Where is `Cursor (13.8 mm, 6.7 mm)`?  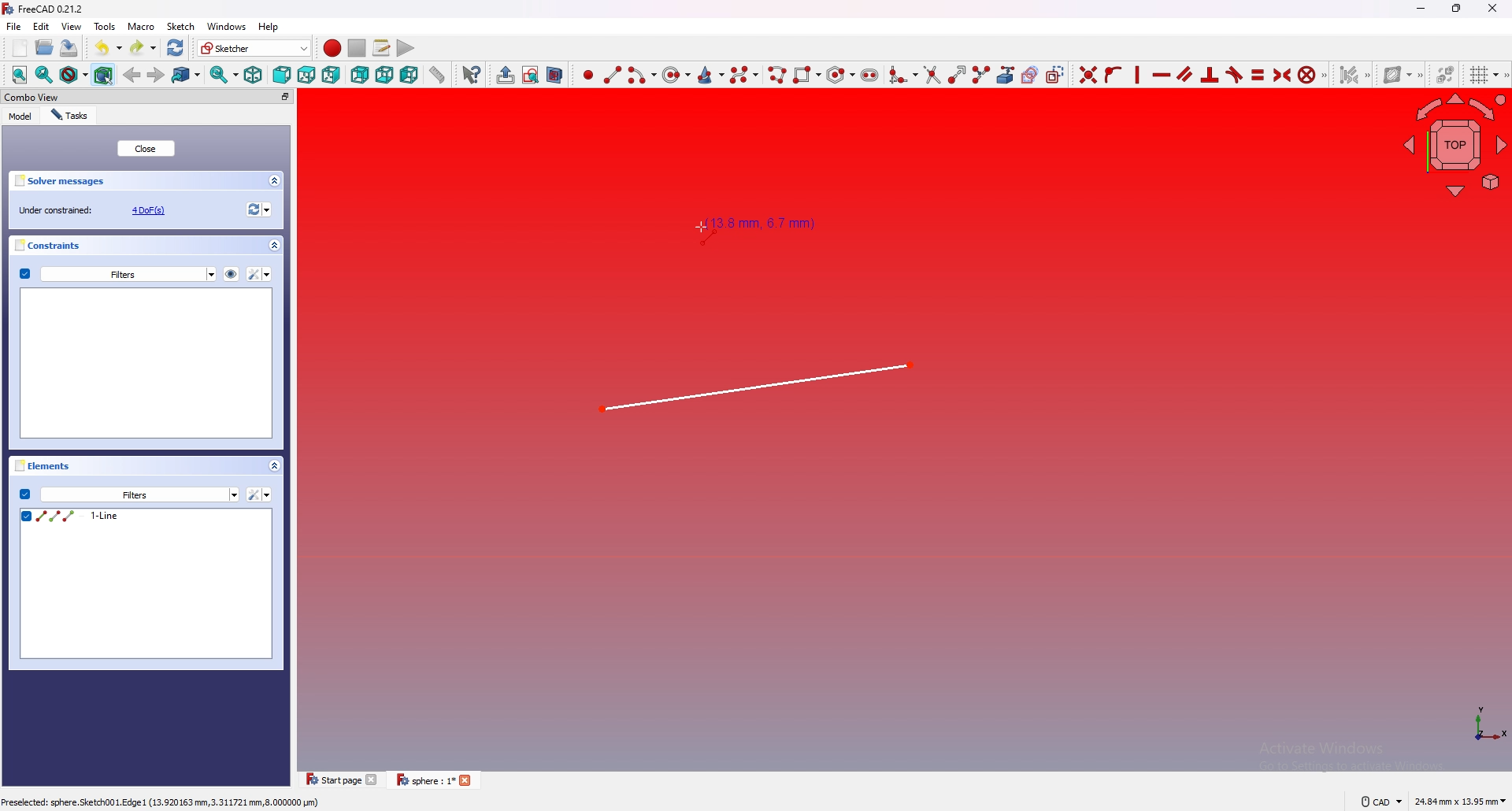
Cursor (13.8 mm, 6.7 mm) is located at coordinates (755, 227).